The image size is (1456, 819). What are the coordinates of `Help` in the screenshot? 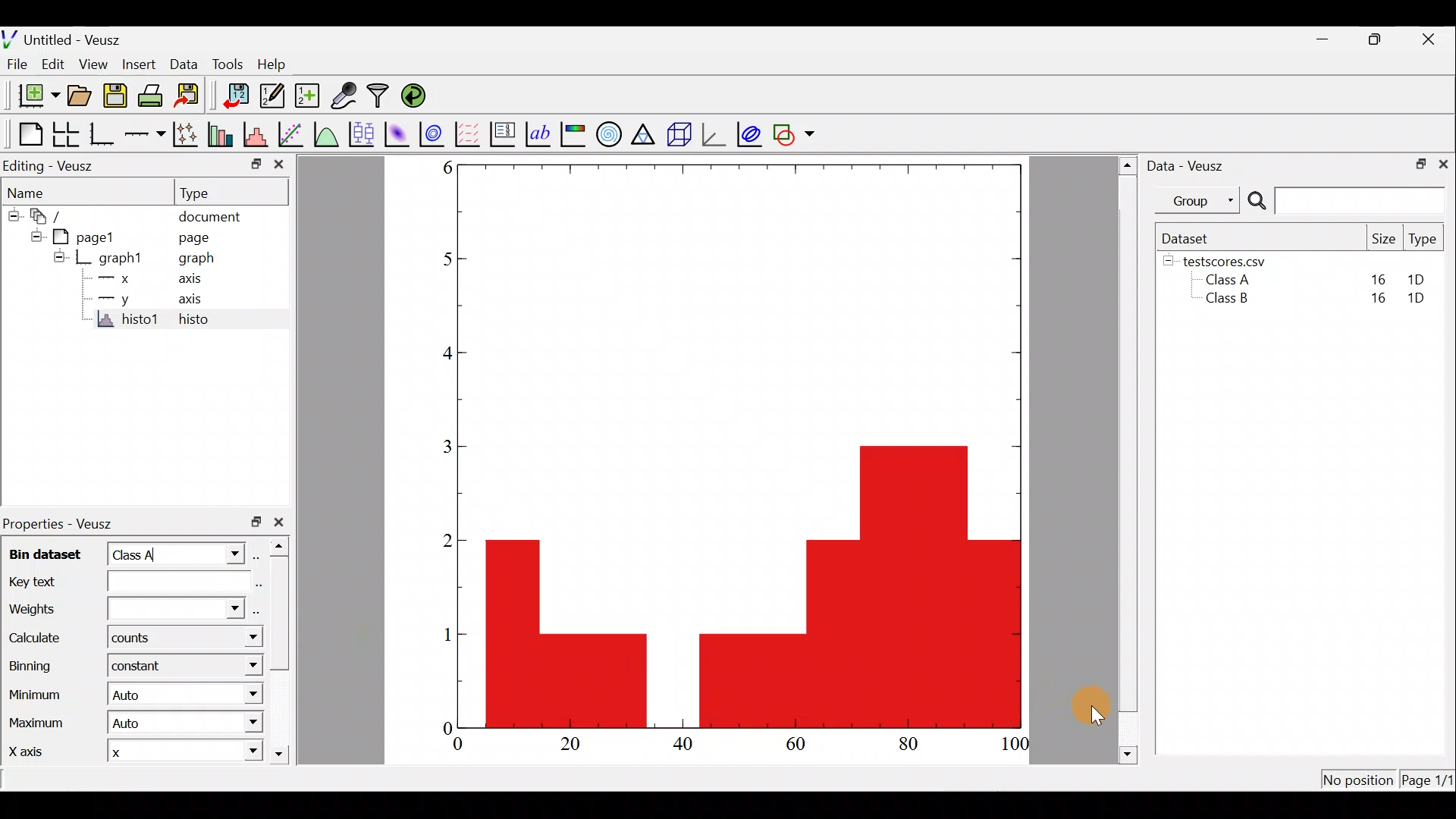 It's located at (278, 65).